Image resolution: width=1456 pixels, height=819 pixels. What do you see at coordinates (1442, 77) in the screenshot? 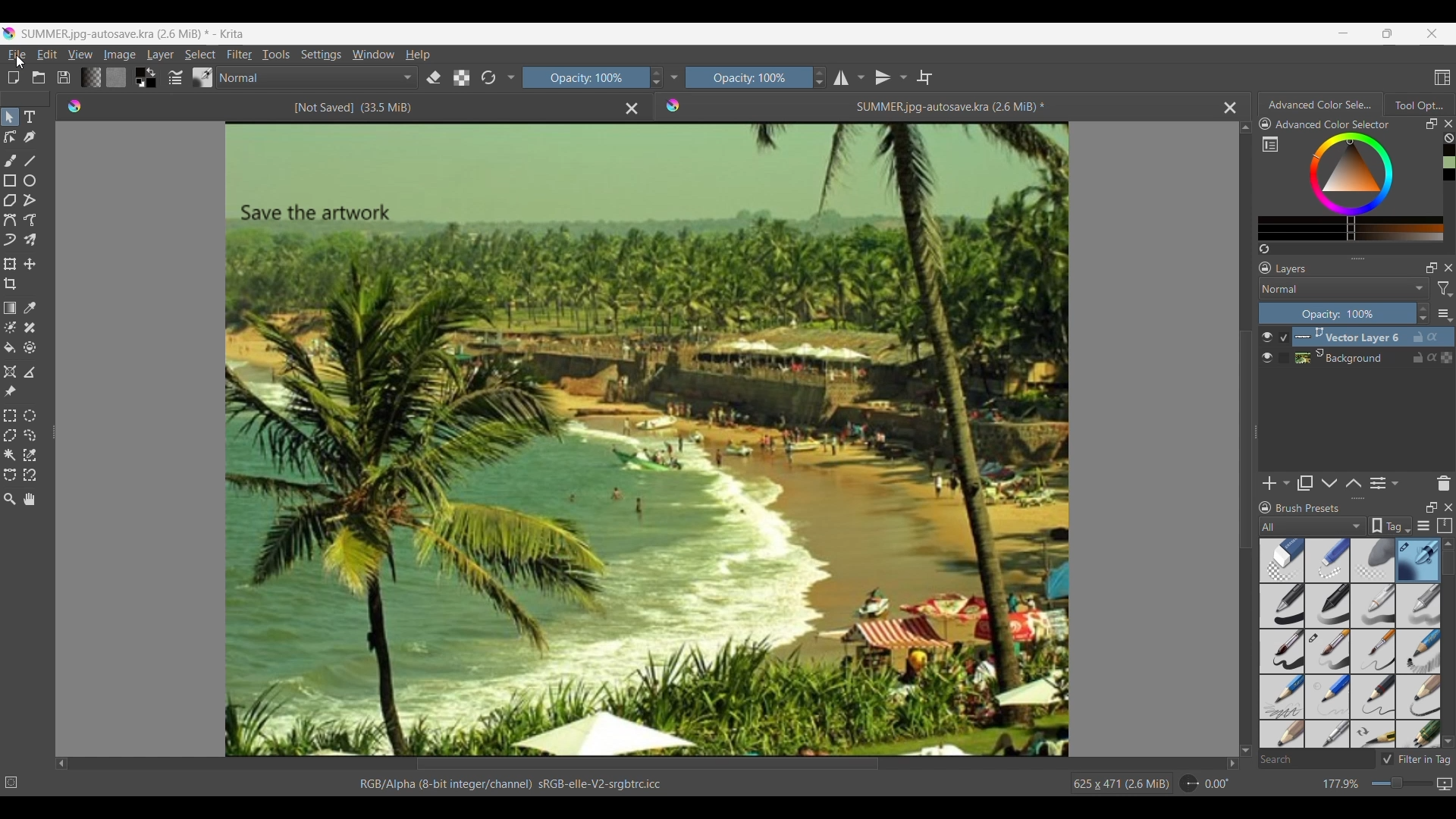
I see `Choose workspace` at bounding box center [1442, 77].